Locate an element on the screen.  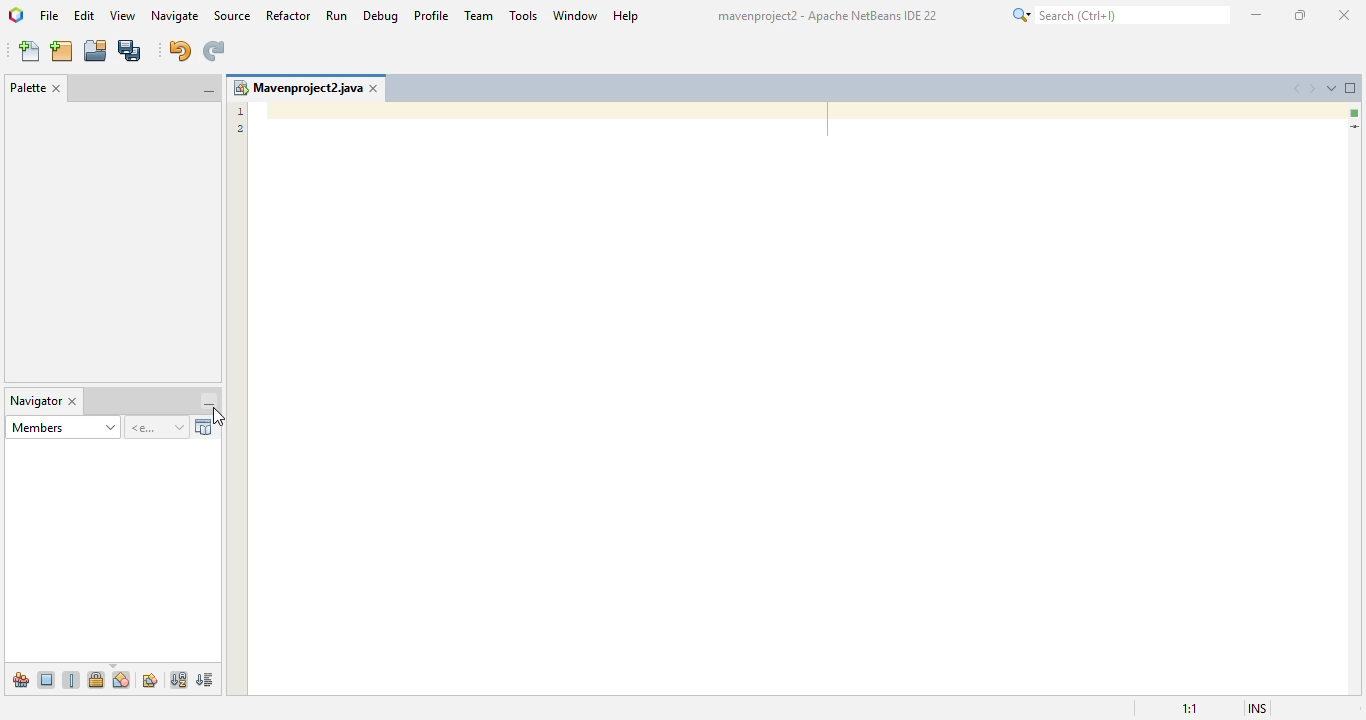
palette window is located at coordinates (114, 240).